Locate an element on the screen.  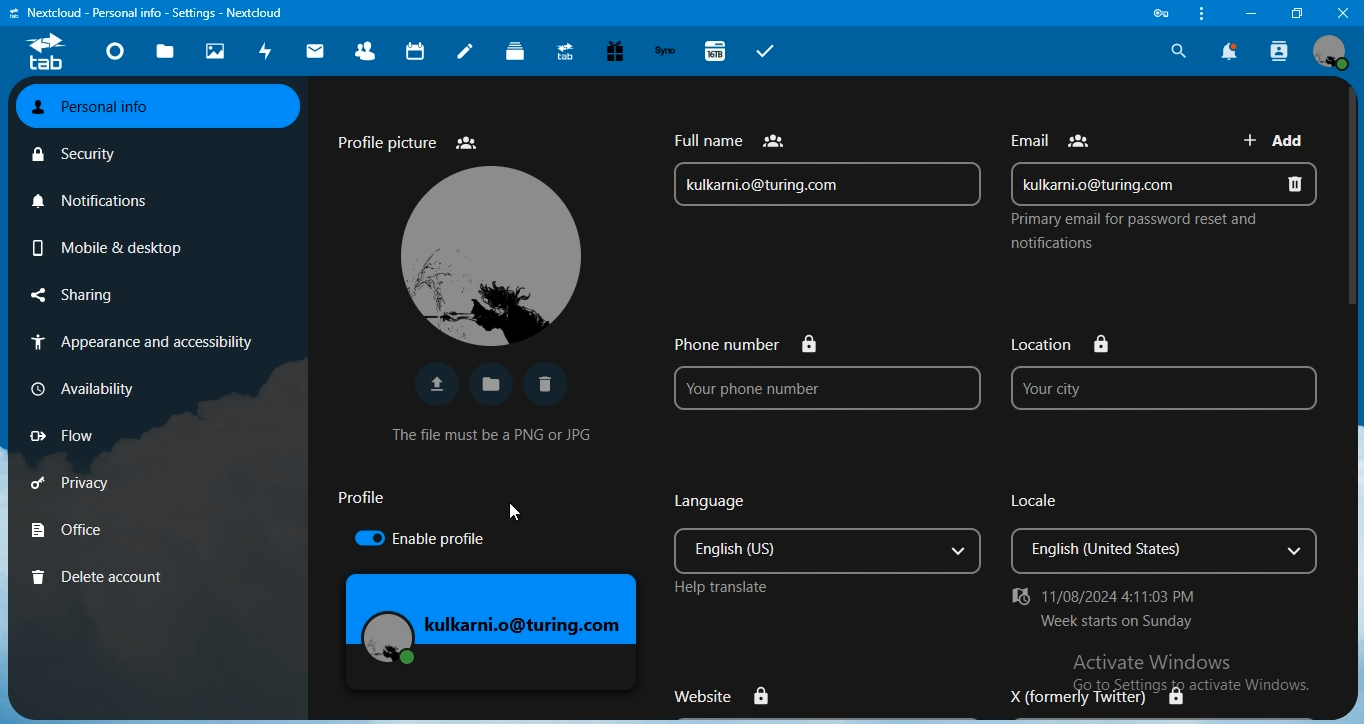
delete is located at coordinates (551, 385).